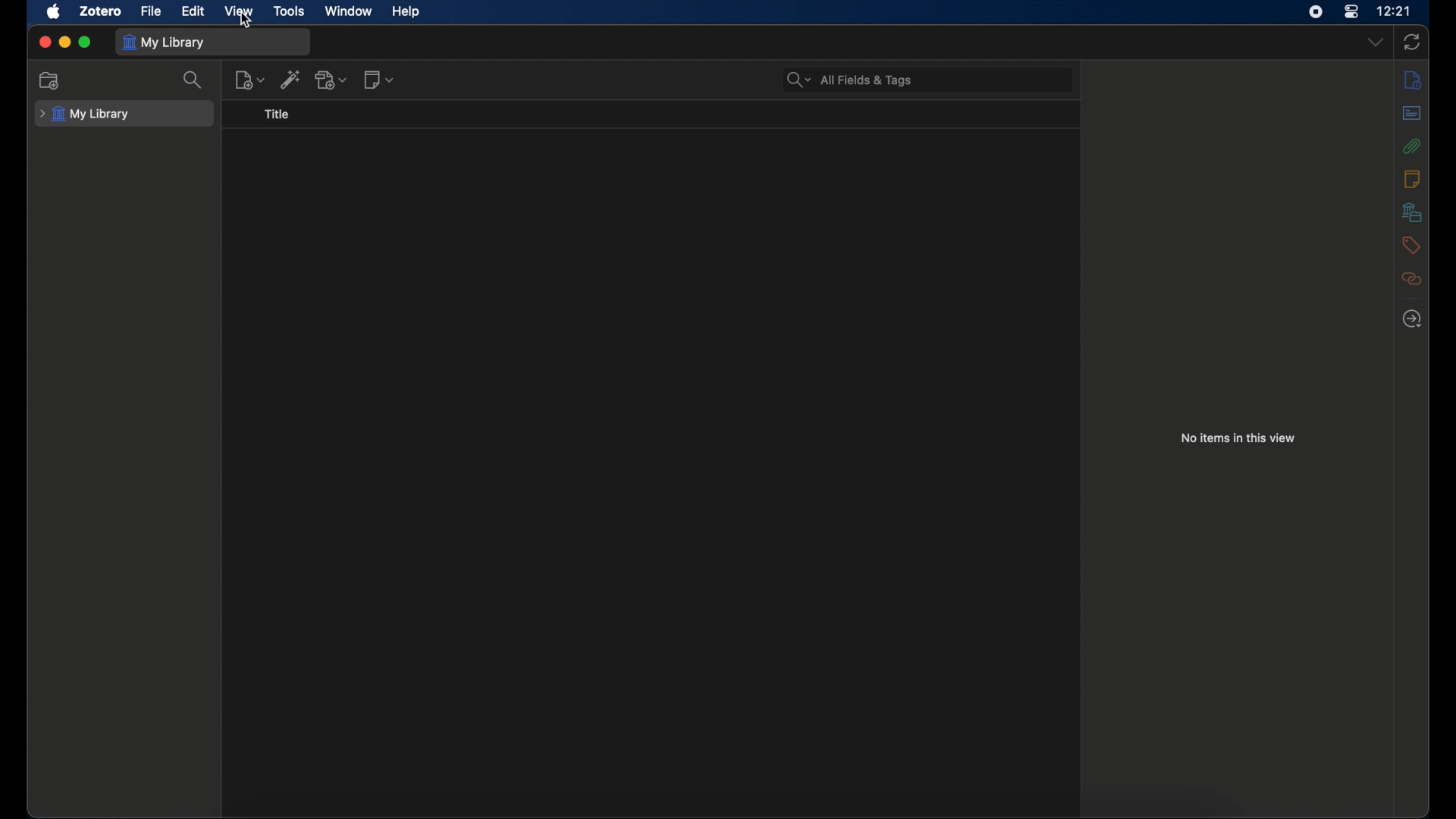 The image size is (1456, 819). What do you see at coordinates (1412, 212) in the screenshot?
I see `libraries` at bounding box center [1412, 212].